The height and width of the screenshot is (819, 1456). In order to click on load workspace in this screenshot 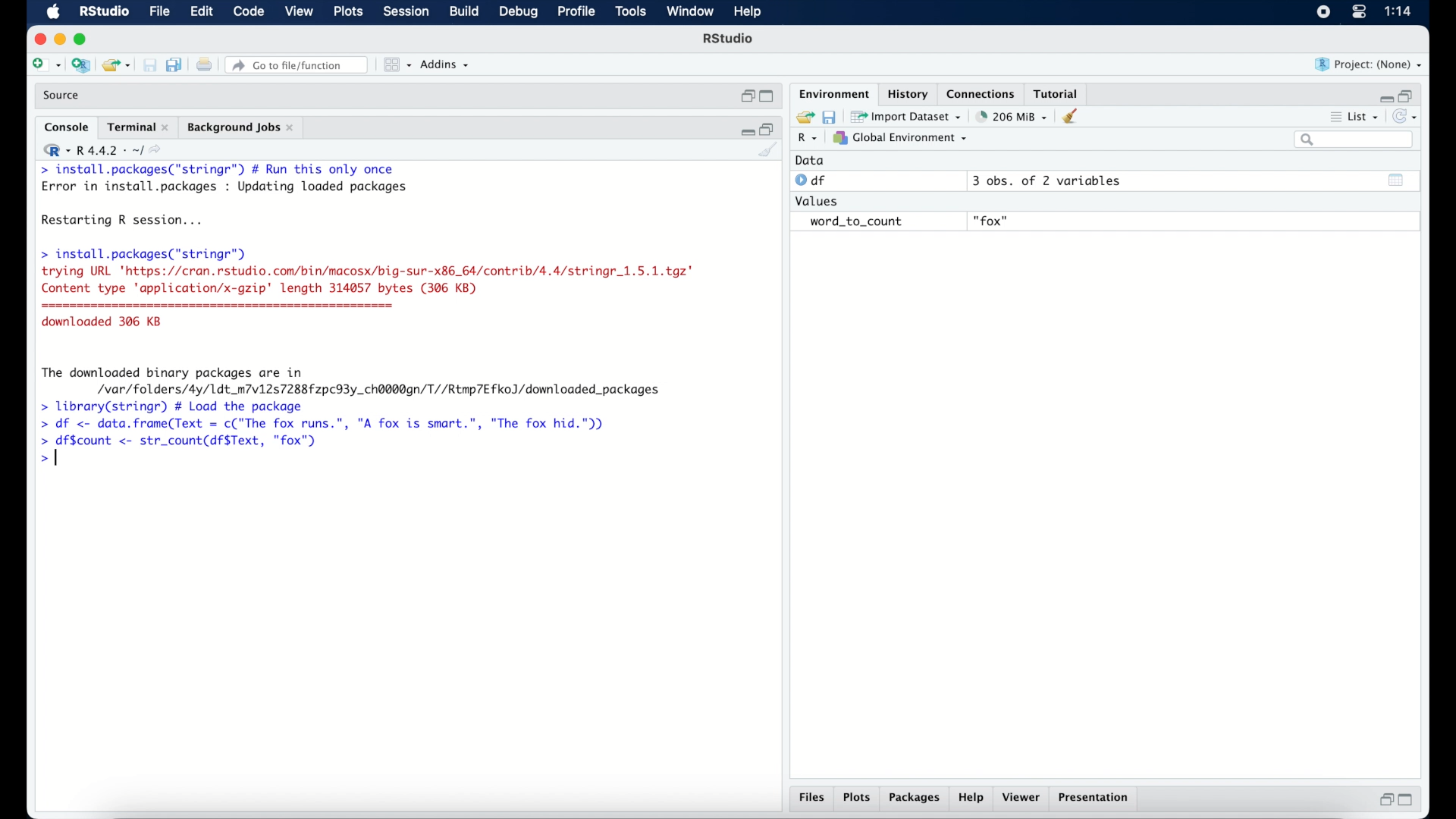, I will do `click(802, 118)`.